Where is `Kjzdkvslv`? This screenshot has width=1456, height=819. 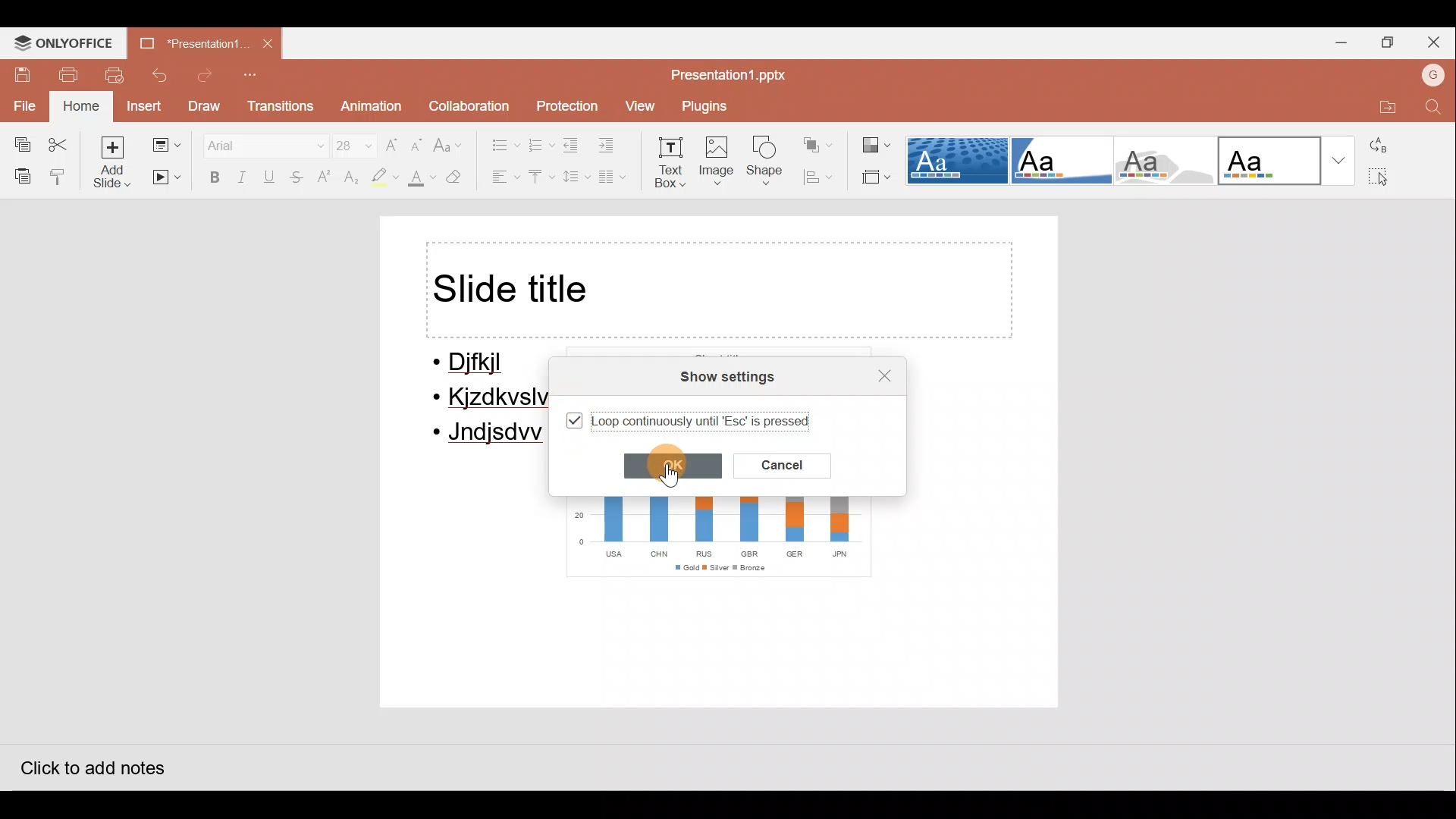 Kjzdkvslv is located at coordinates (491, 398).